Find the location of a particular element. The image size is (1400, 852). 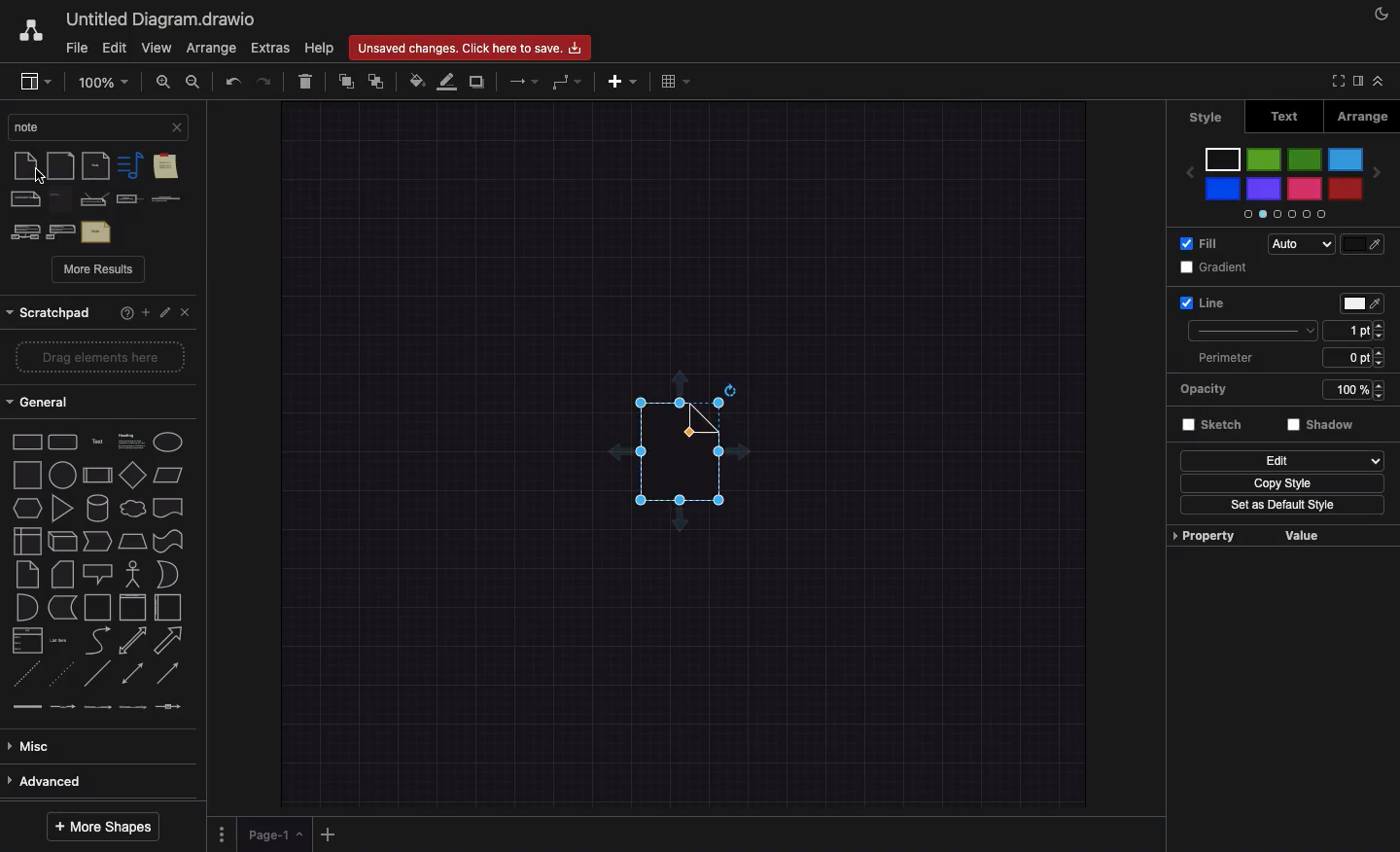

horizontal container is located at coordinates (168, 608).